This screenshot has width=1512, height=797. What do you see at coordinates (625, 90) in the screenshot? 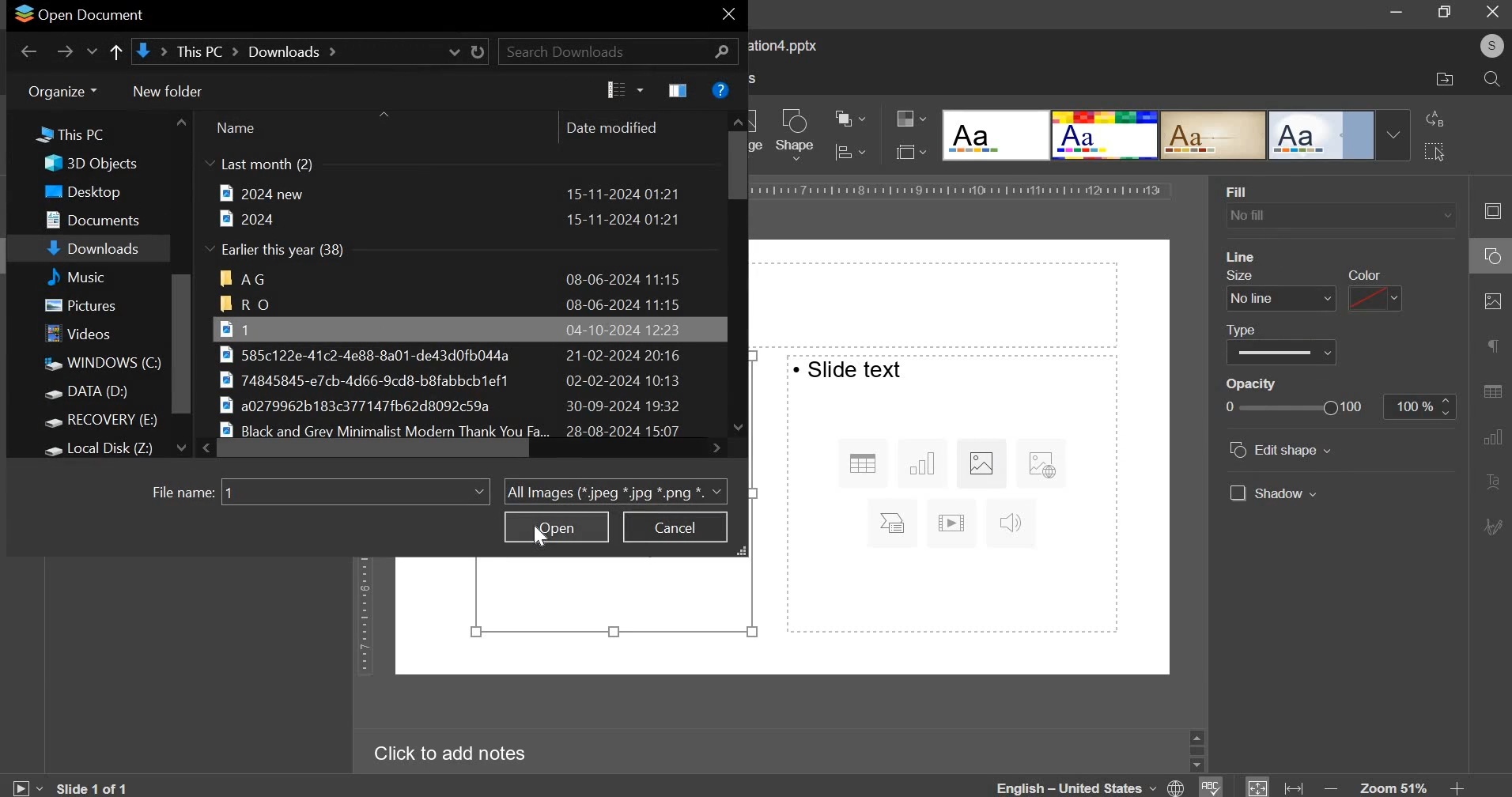
I see `sort` at bounding box center [625, 90].